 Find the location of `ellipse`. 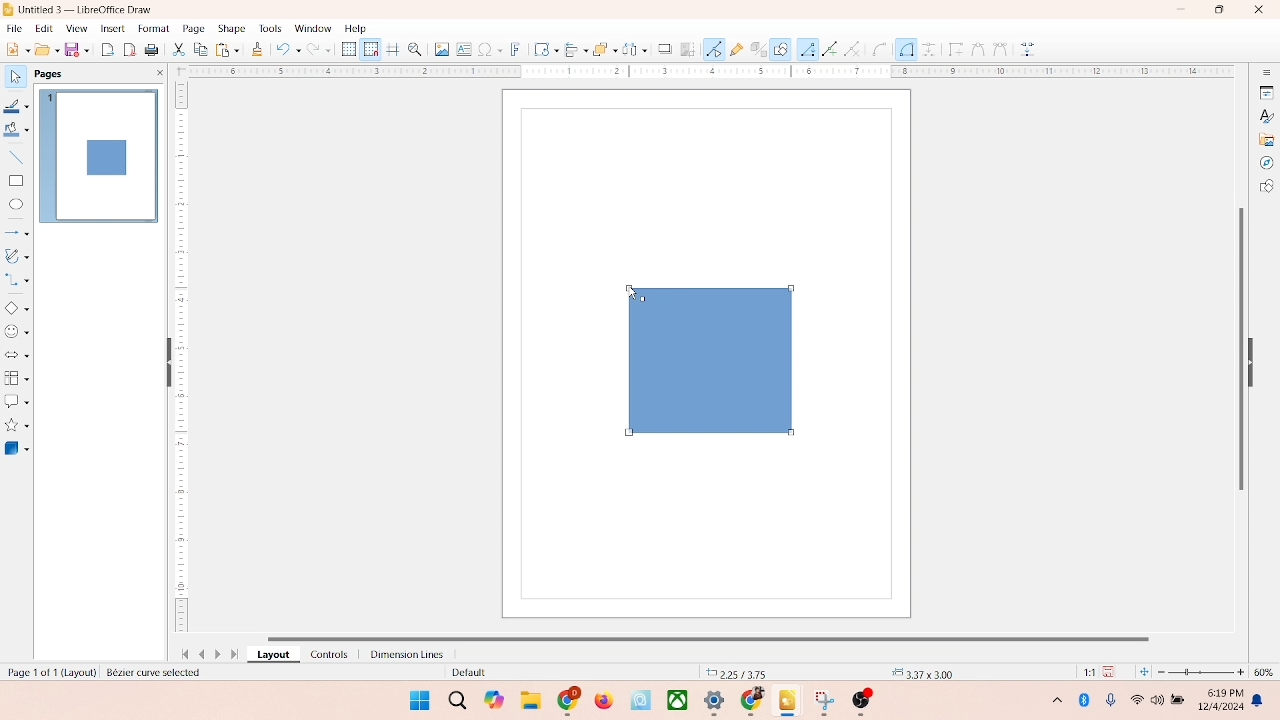

ellipse is located at coordinates (16, 205).